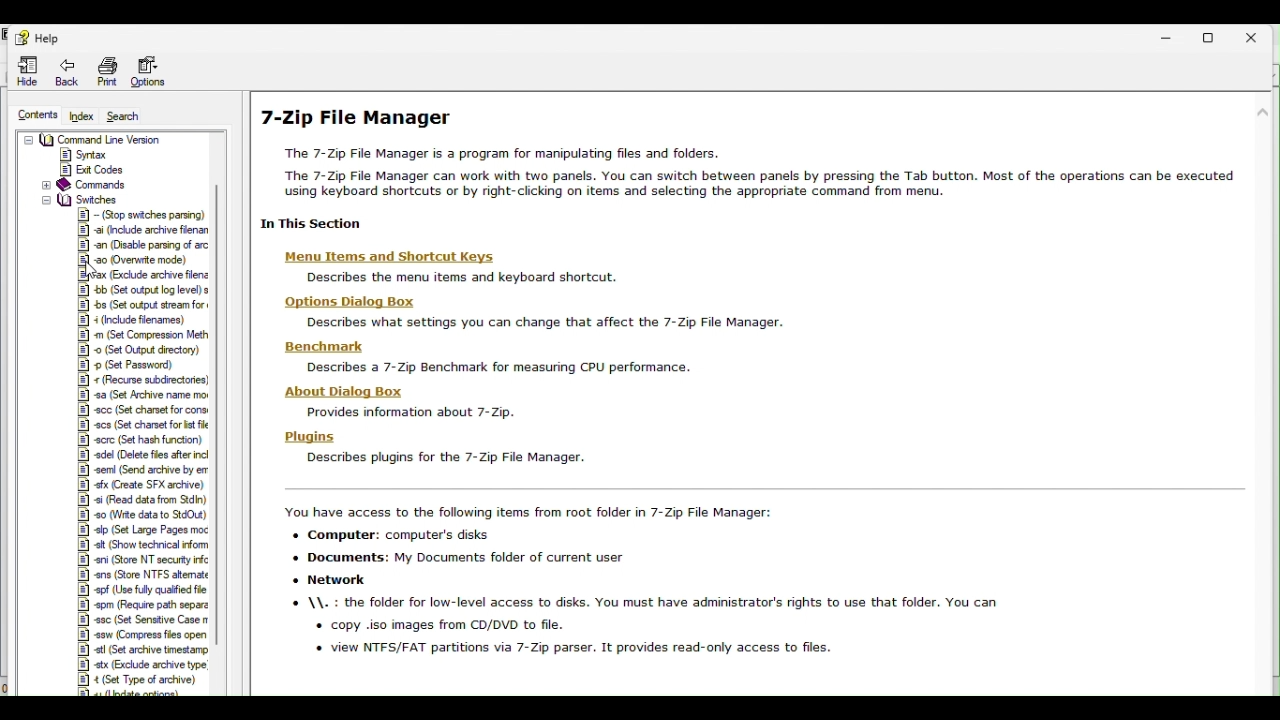 The height and width of the screenshot is (720, 1280). Describe the element at coordinates (142, 619) in the screenshot. I see `|B] esc (Set Sensitive Case nn` at that location.